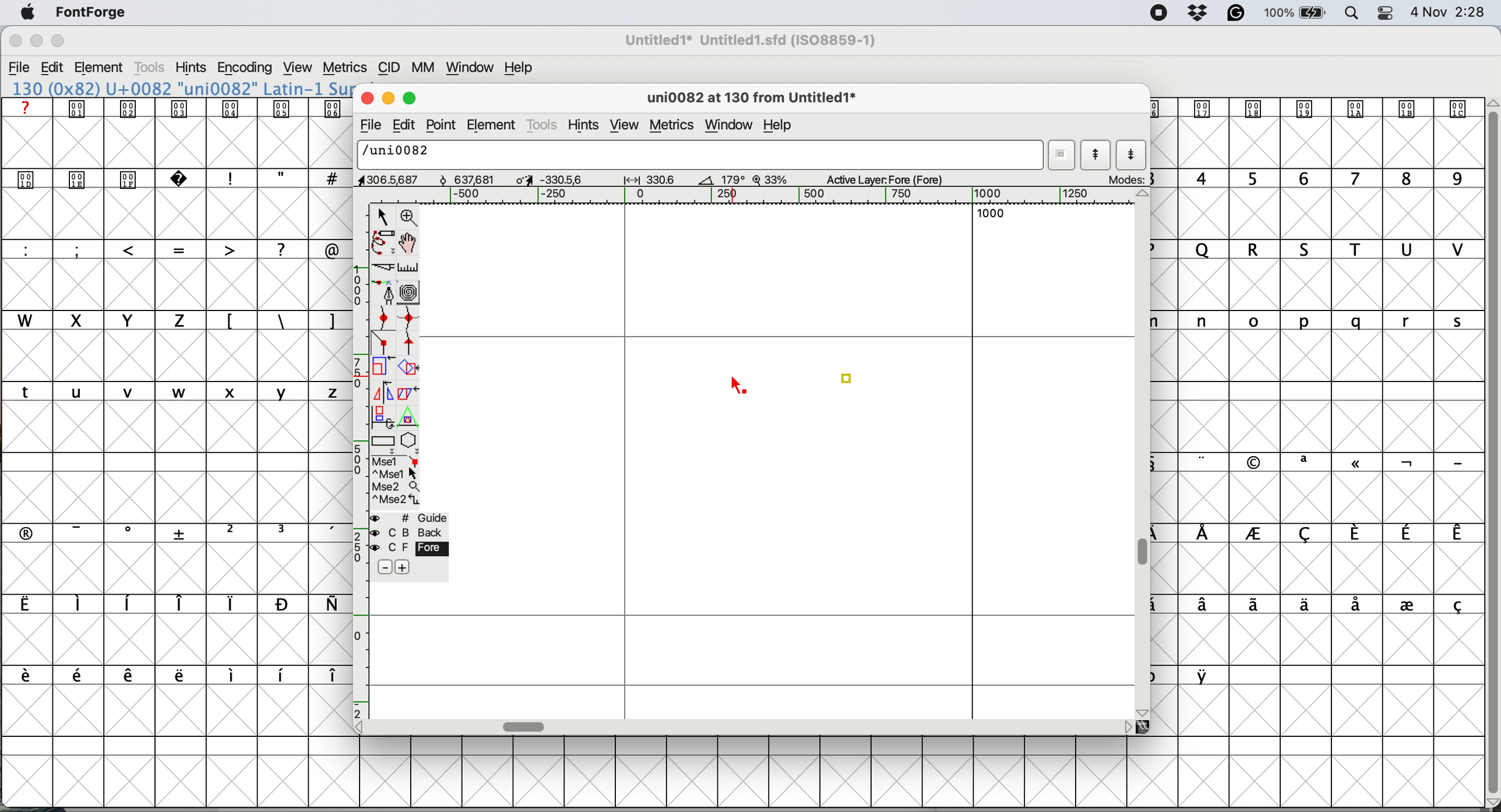 Image resolution: width=1501 pixels, height=812 pixels. Describe the element at coordinates (385, 243) in the screenshot. I see `freehand draw` at that location.